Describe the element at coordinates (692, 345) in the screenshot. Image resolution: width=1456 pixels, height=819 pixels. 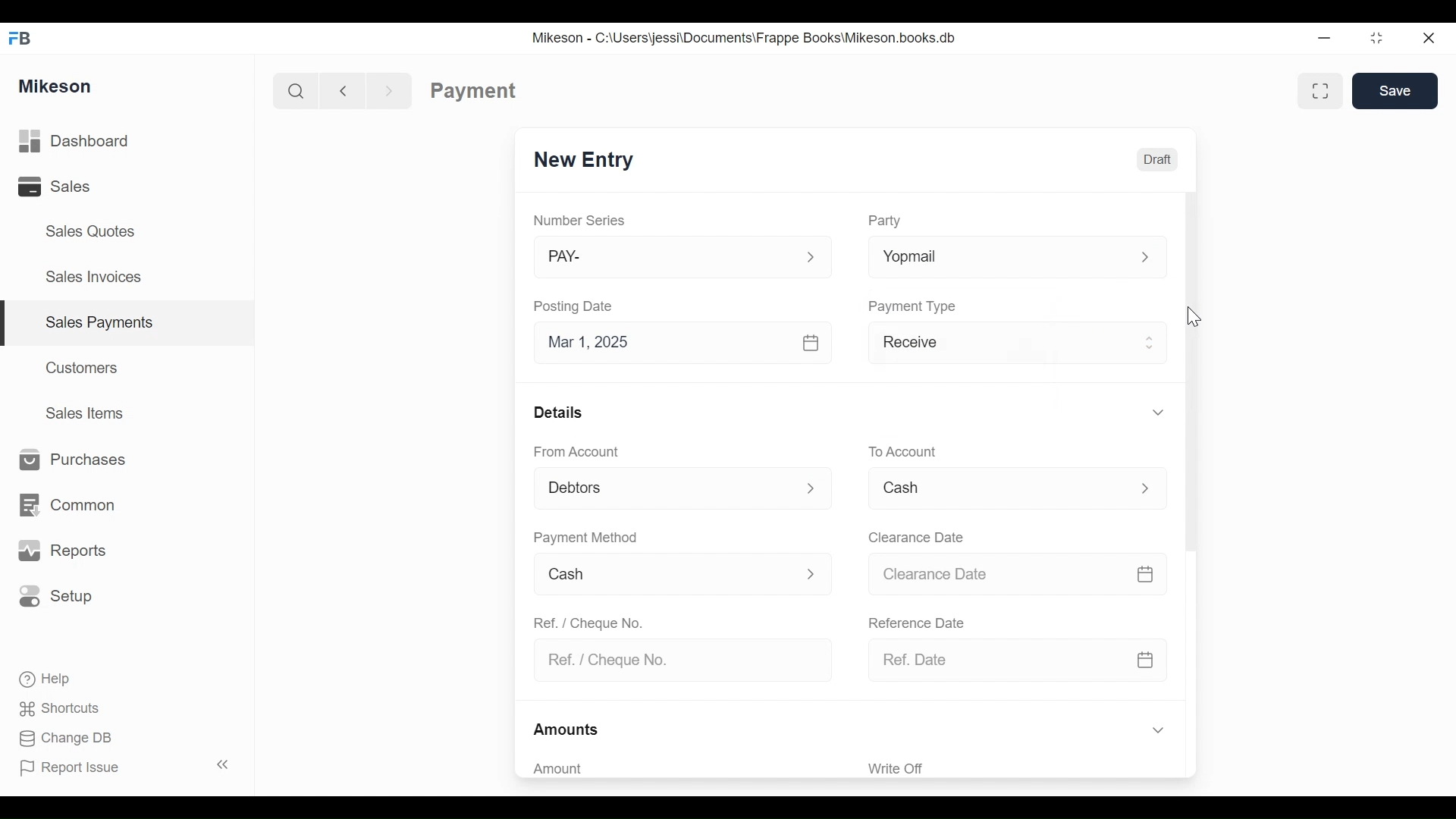
I see `Mar 1, 2025` at that location.